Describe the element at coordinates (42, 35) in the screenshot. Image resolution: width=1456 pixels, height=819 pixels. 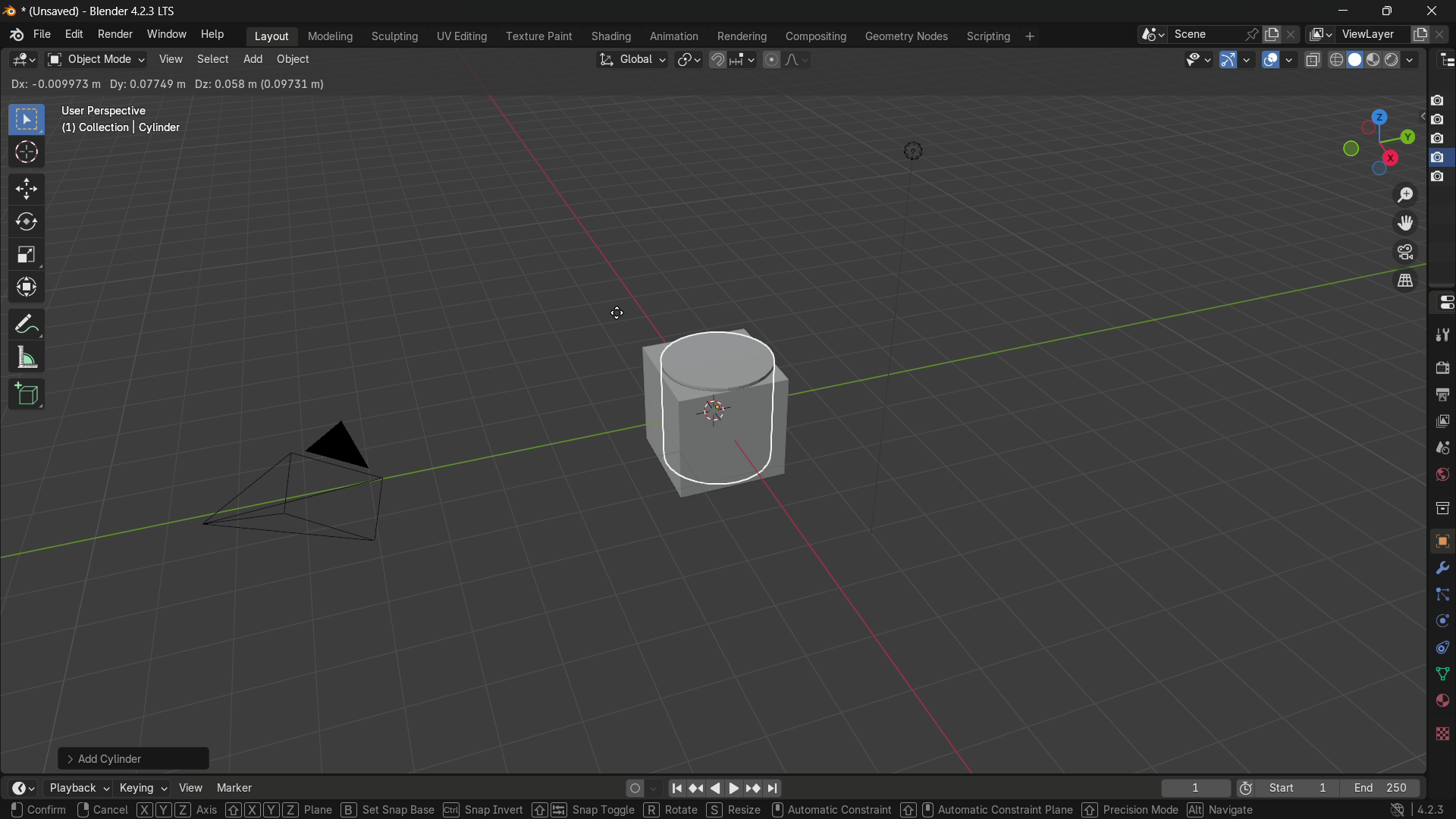
I see `file menu` at that location.